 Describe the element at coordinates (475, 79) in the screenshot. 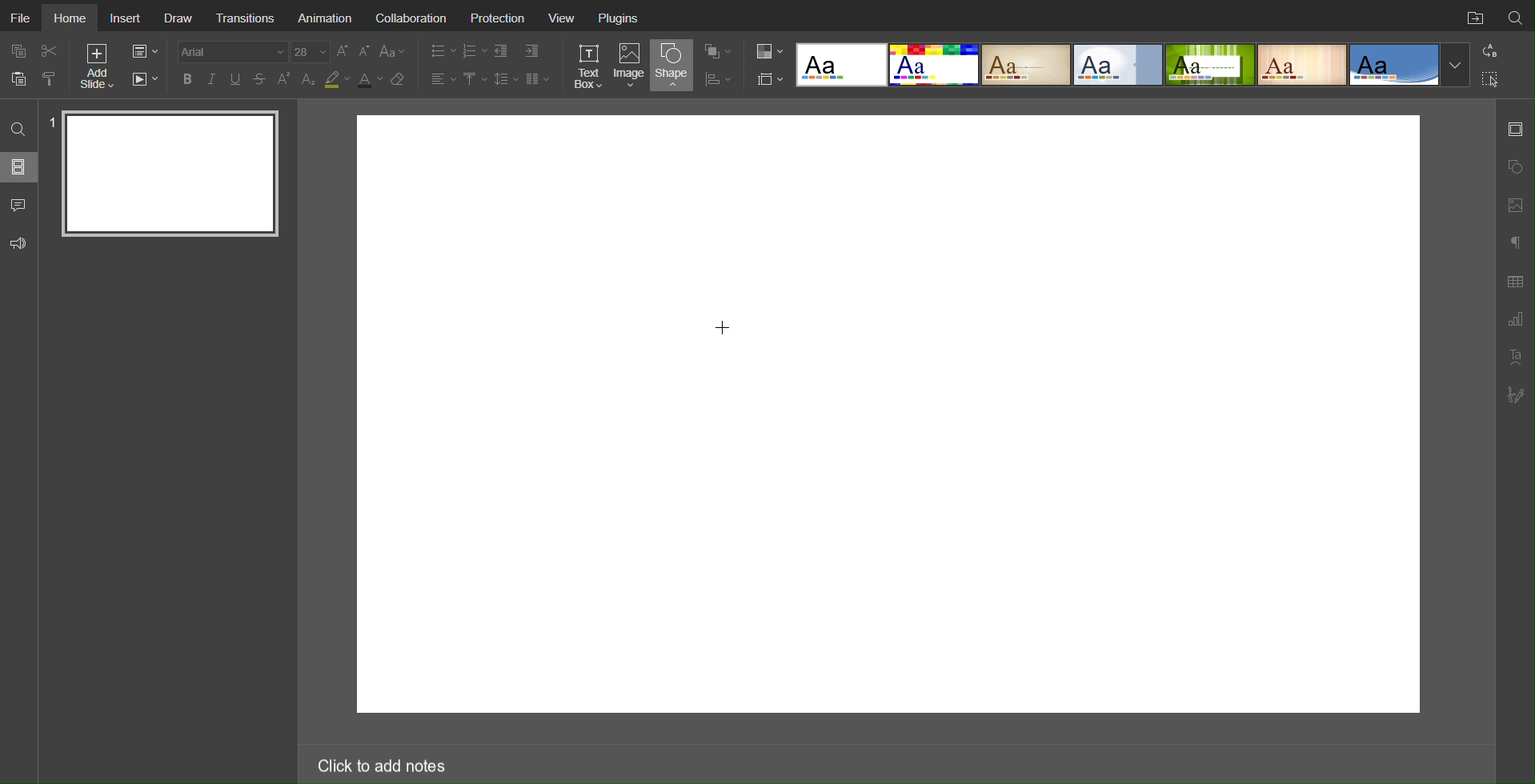

I see `Vertical Alignment` at that location.